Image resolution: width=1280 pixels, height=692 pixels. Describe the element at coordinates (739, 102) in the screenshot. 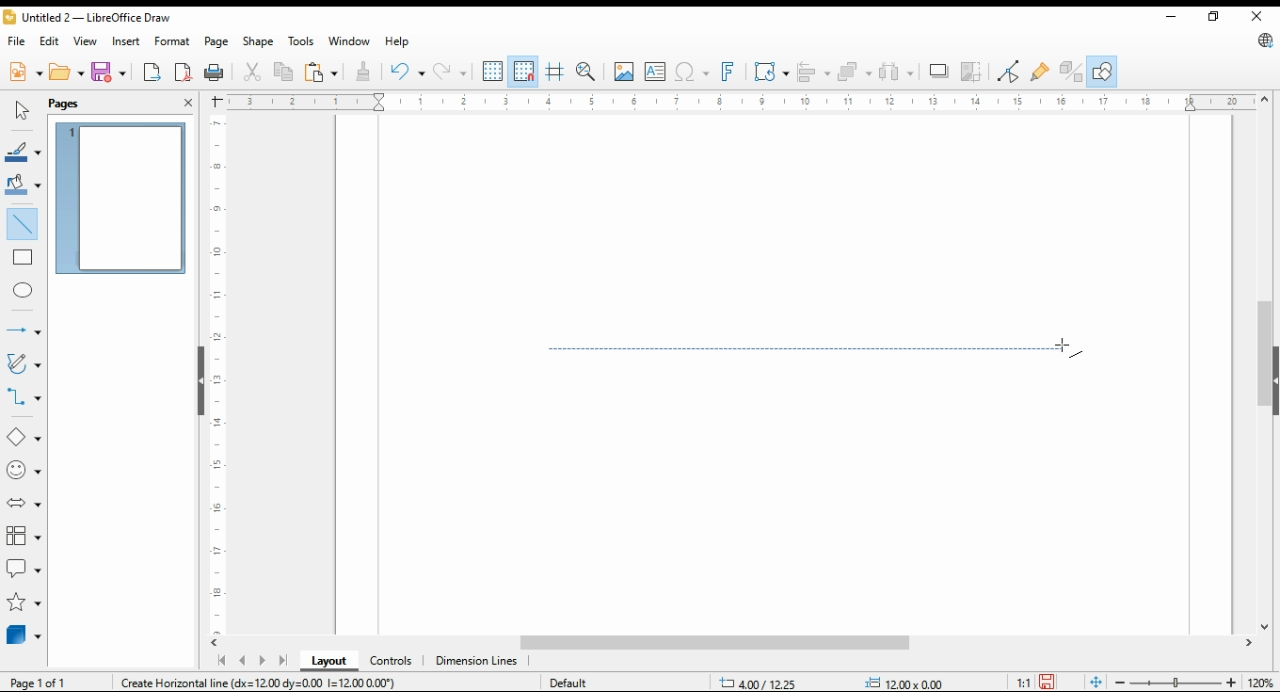

I see `horizontal scale` at that location.